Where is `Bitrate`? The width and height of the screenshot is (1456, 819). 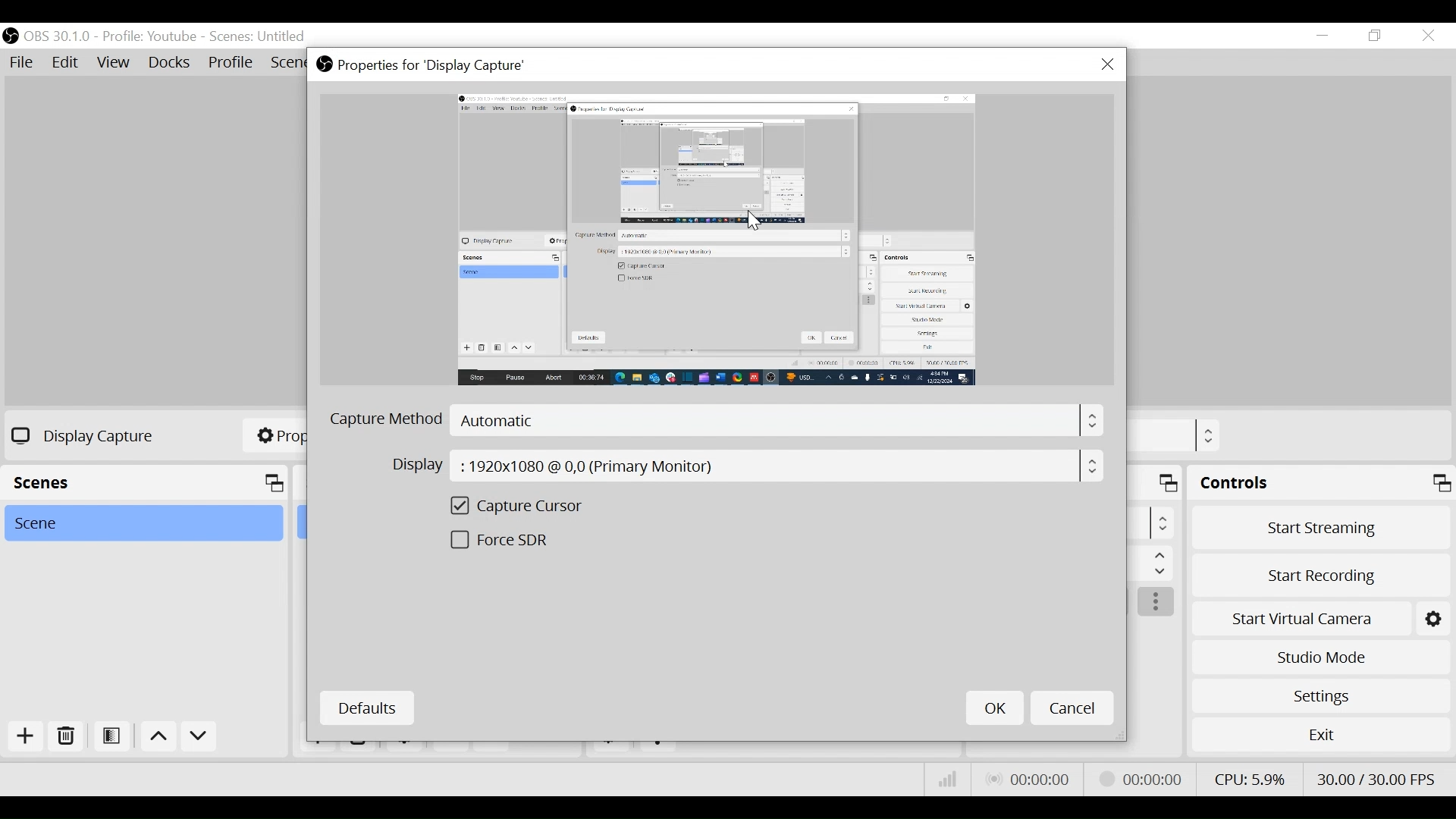
Bitrate is located at coordinates (949, 778).